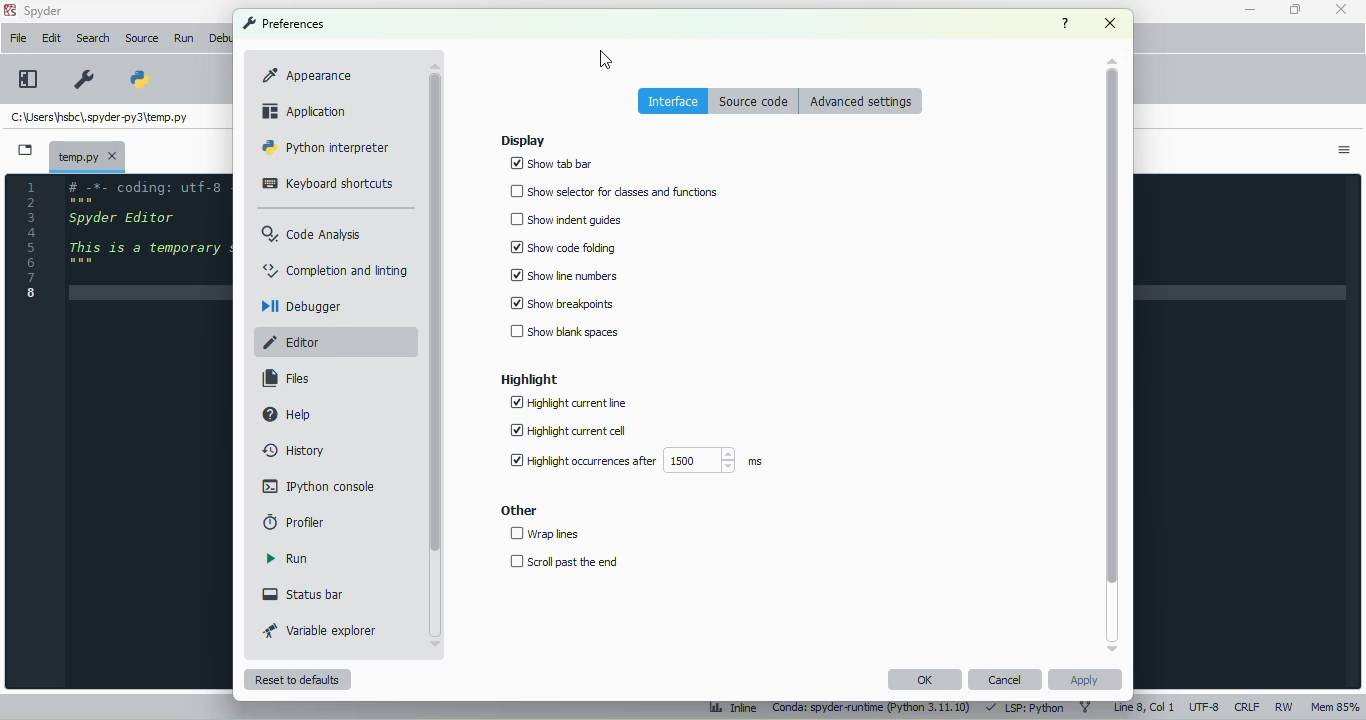 The height and width of the screenshot is (720, 1366). What do you see at coordinates (296, 680) in the screenshot?
I see `reset to defaults` at bounding box center [296, 680].